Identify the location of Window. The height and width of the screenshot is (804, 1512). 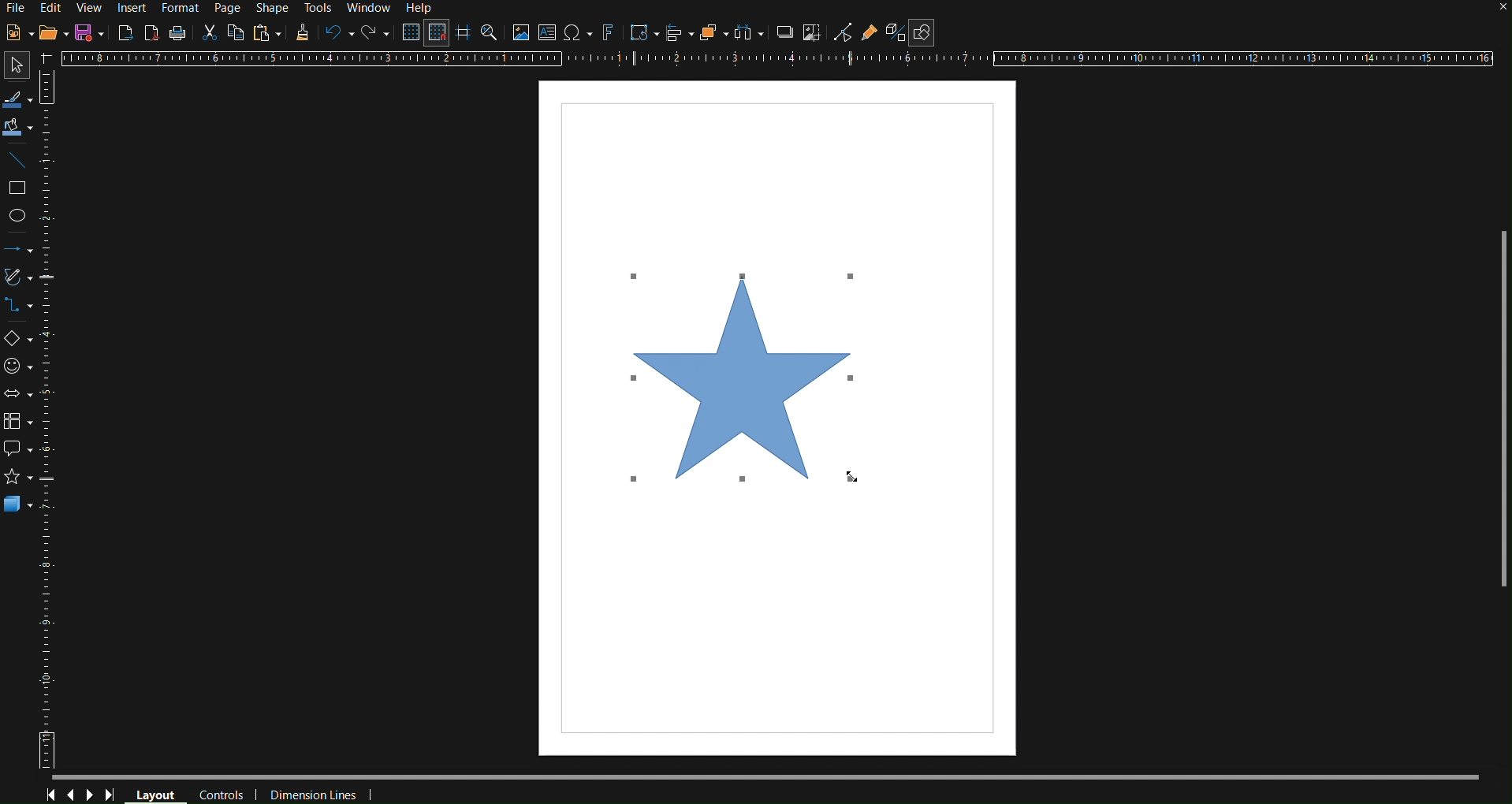
(370, 7).